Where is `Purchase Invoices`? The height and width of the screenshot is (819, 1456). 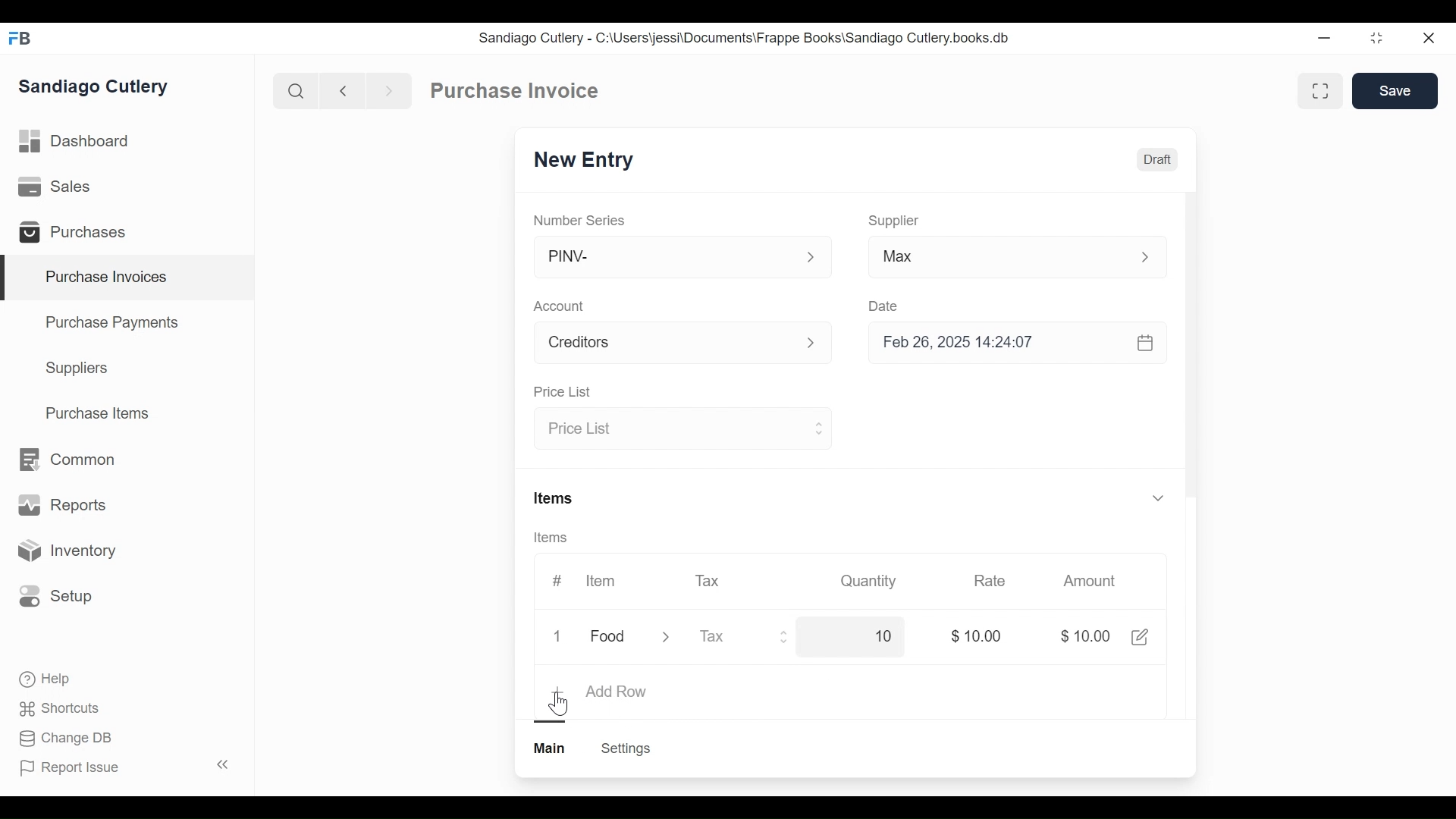 Purchase Invoices is located at coordinates (128, 278).